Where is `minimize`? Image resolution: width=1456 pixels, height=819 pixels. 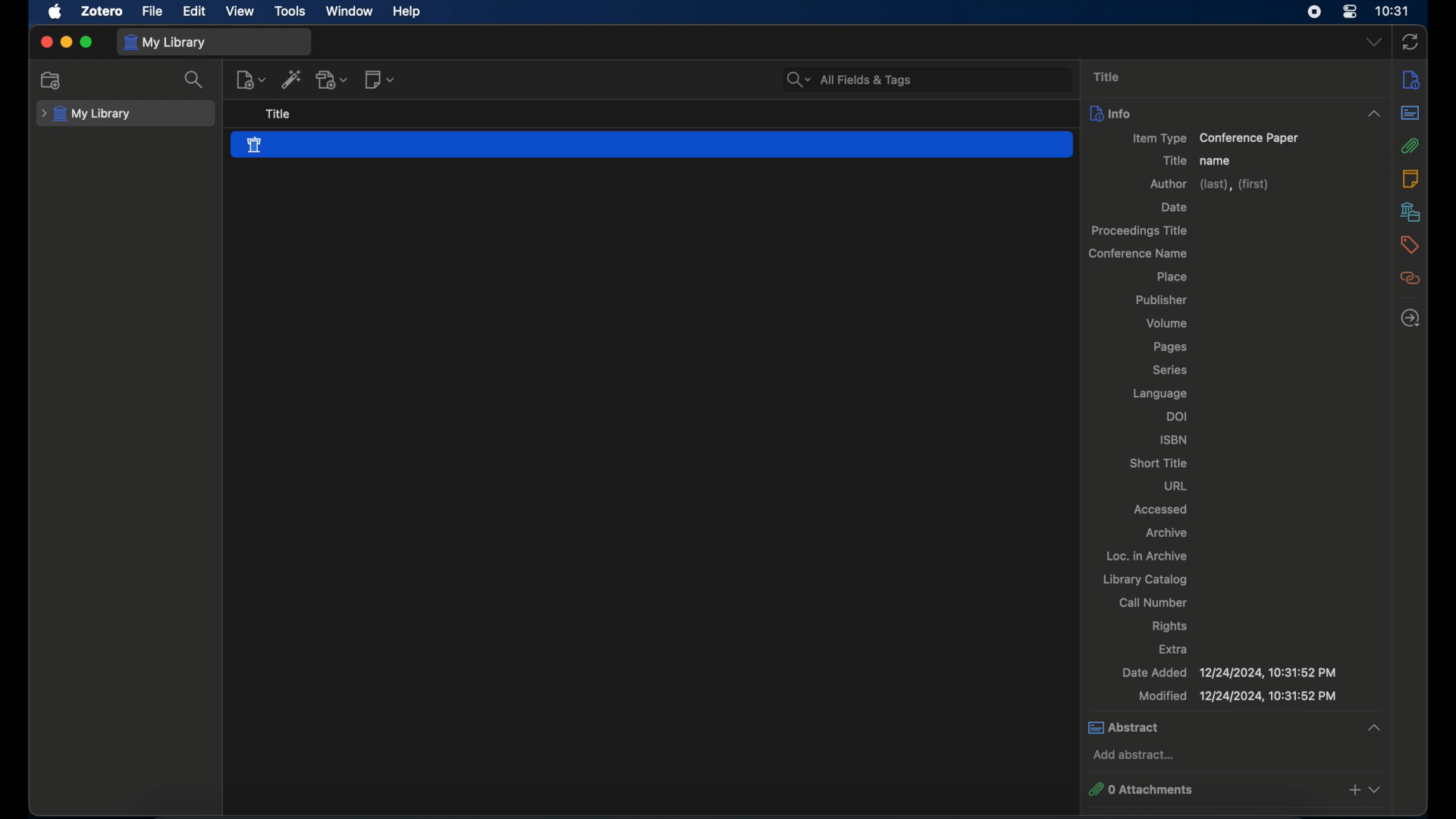 minimize is located at coordinates (65, 42).